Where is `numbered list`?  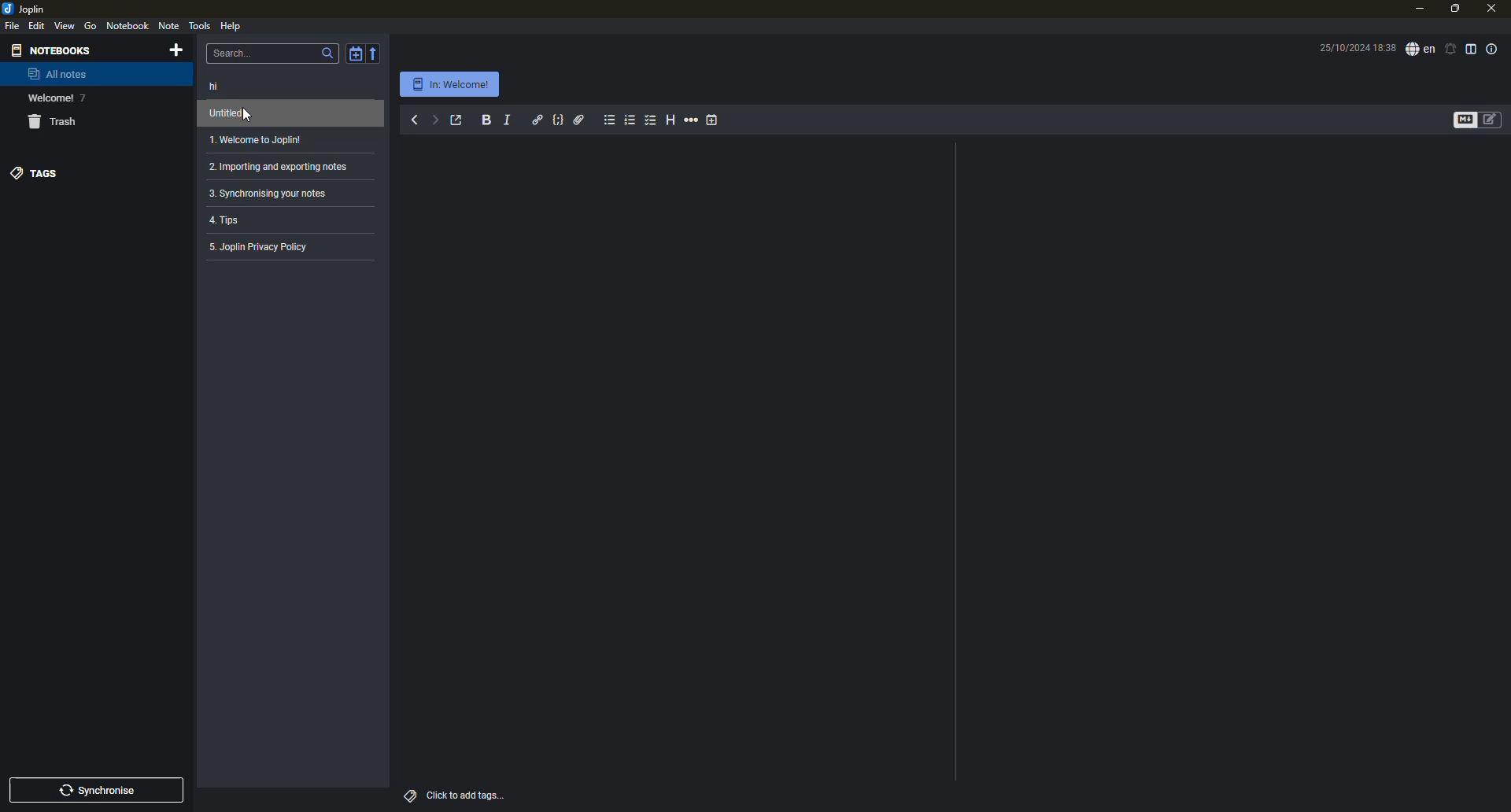 numbered list is located at coordinates (630, 120).